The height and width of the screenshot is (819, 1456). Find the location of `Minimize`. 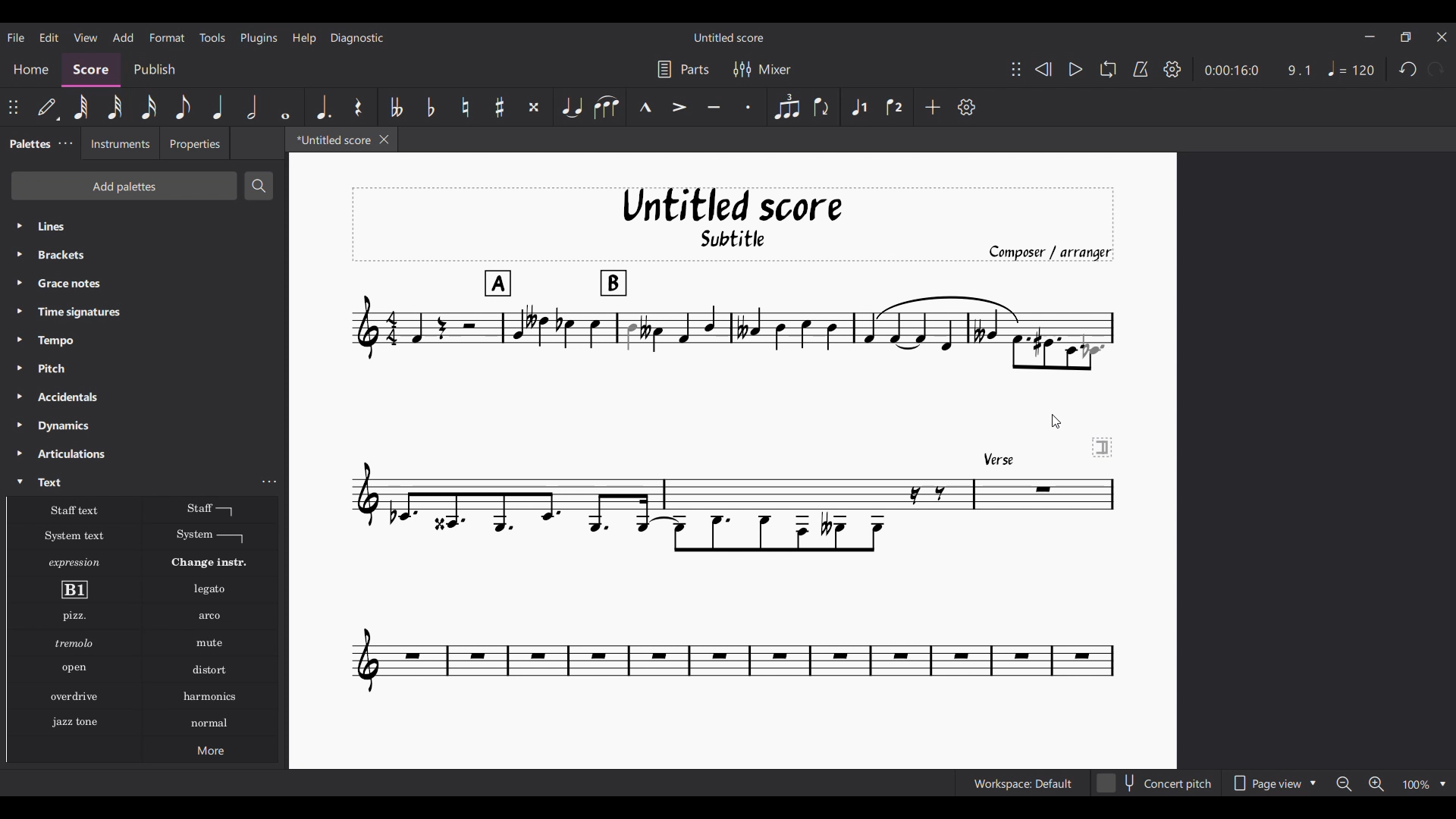

Minimize is located at coordinates (1370, 36).